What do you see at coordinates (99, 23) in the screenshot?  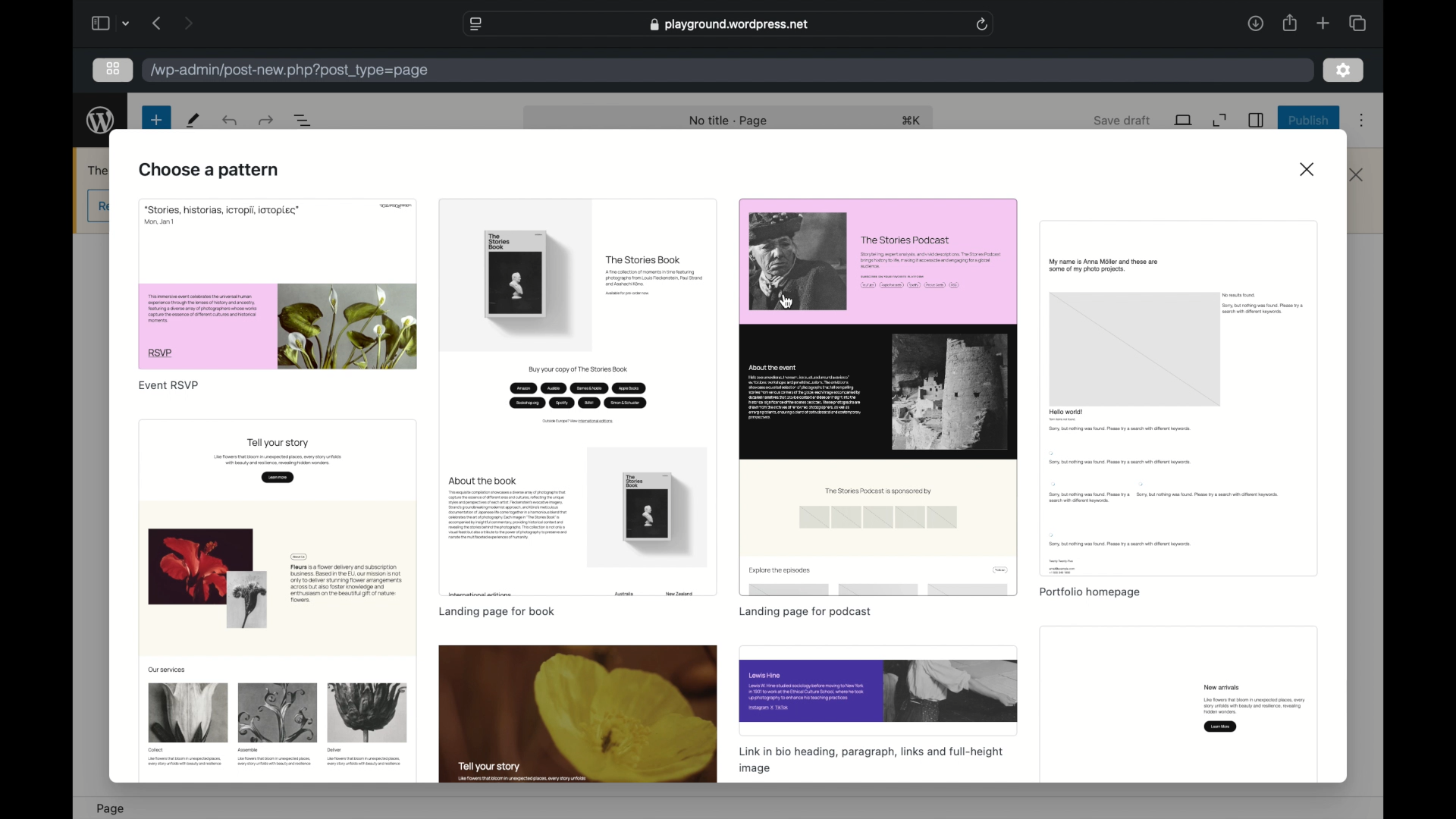 I see `show sidebar` at bounding box center [99, 23].